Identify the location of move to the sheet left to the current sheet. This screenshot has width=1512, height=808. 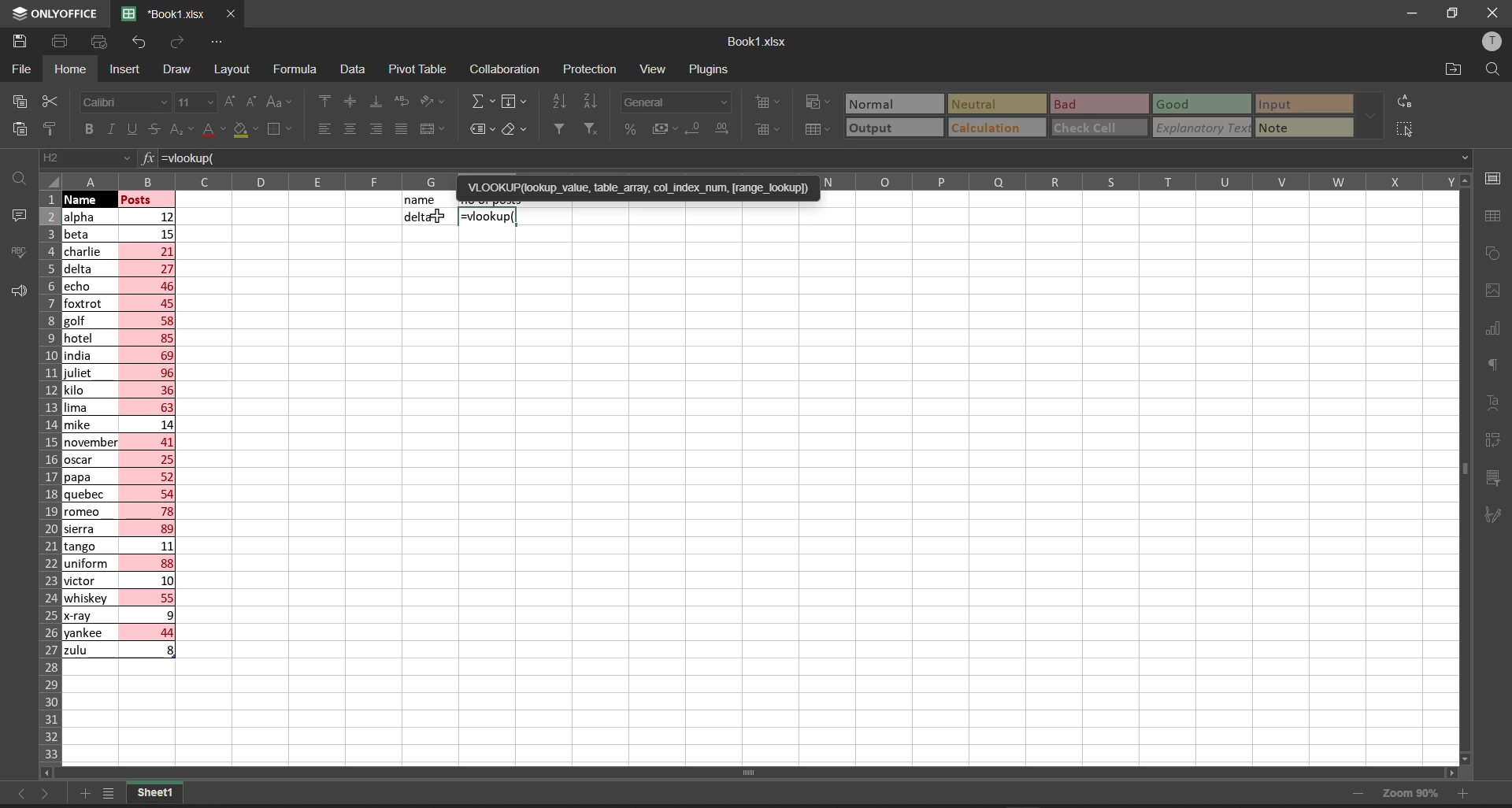
(18, 794).